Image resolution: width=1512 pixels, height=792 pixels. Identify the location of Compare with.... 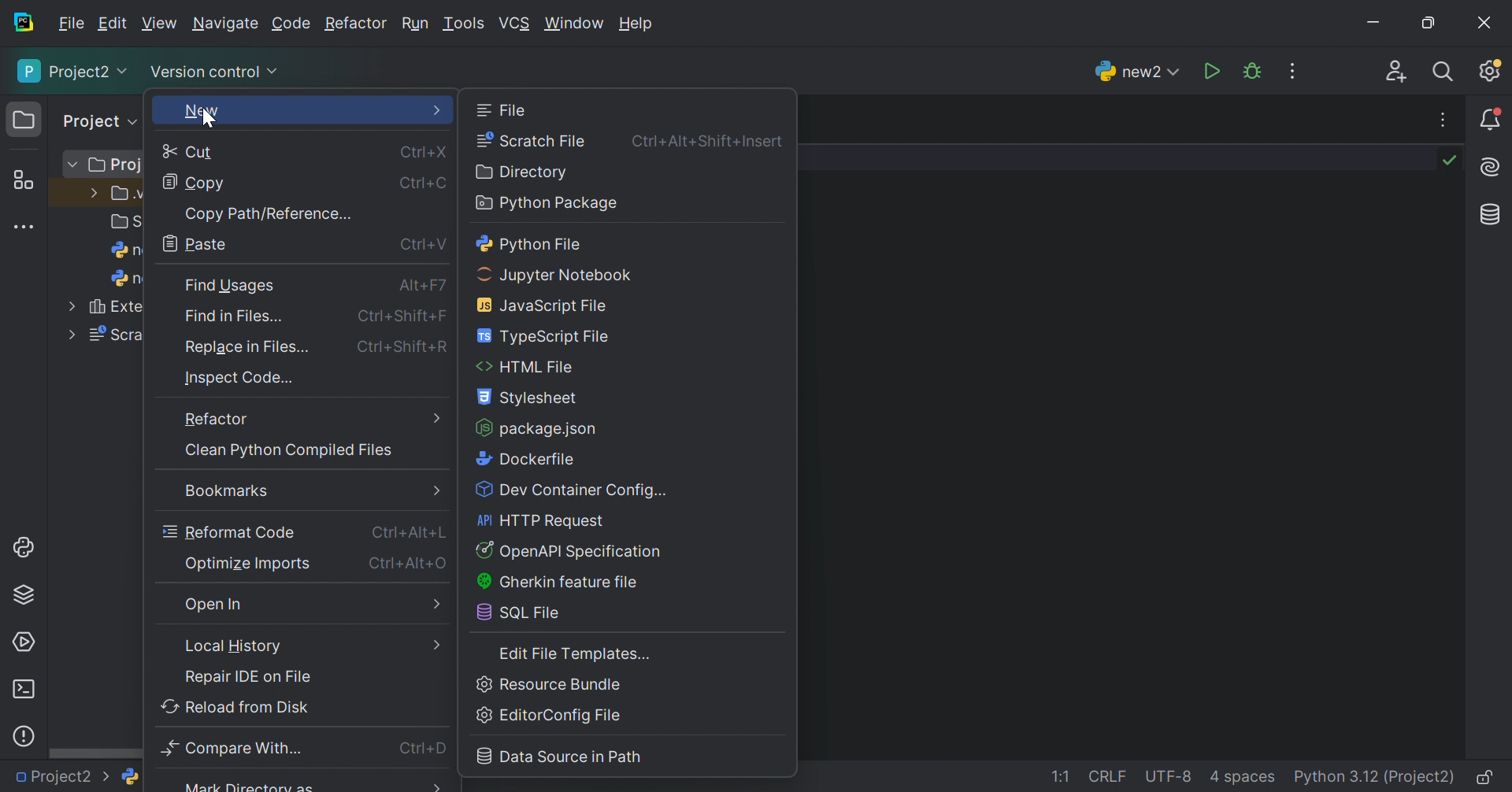
(232, 749).